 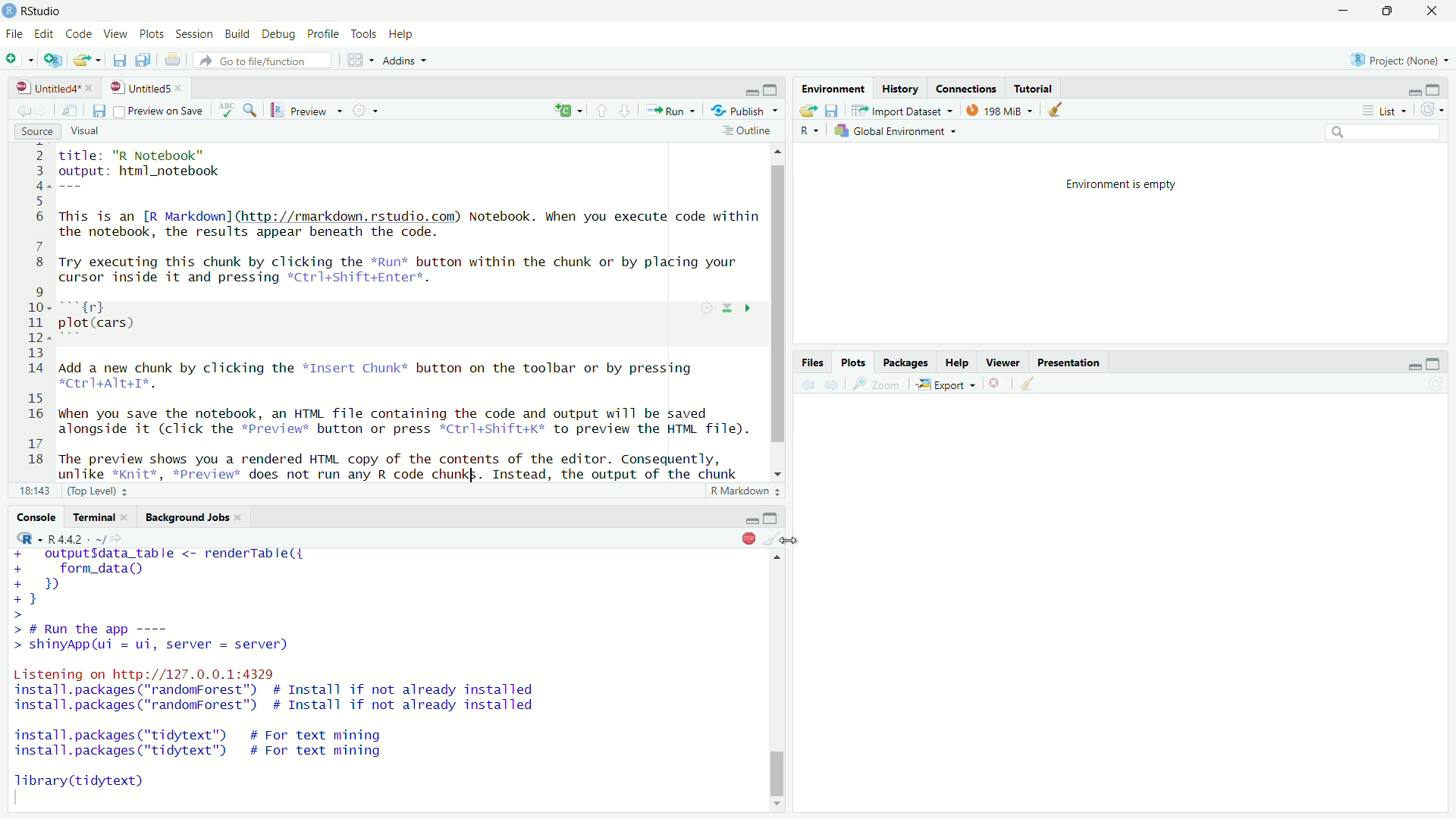 What do you see at coordinates (771, 518) in the screenshot?
I see `Maximize` at bounding box center [771, 518].